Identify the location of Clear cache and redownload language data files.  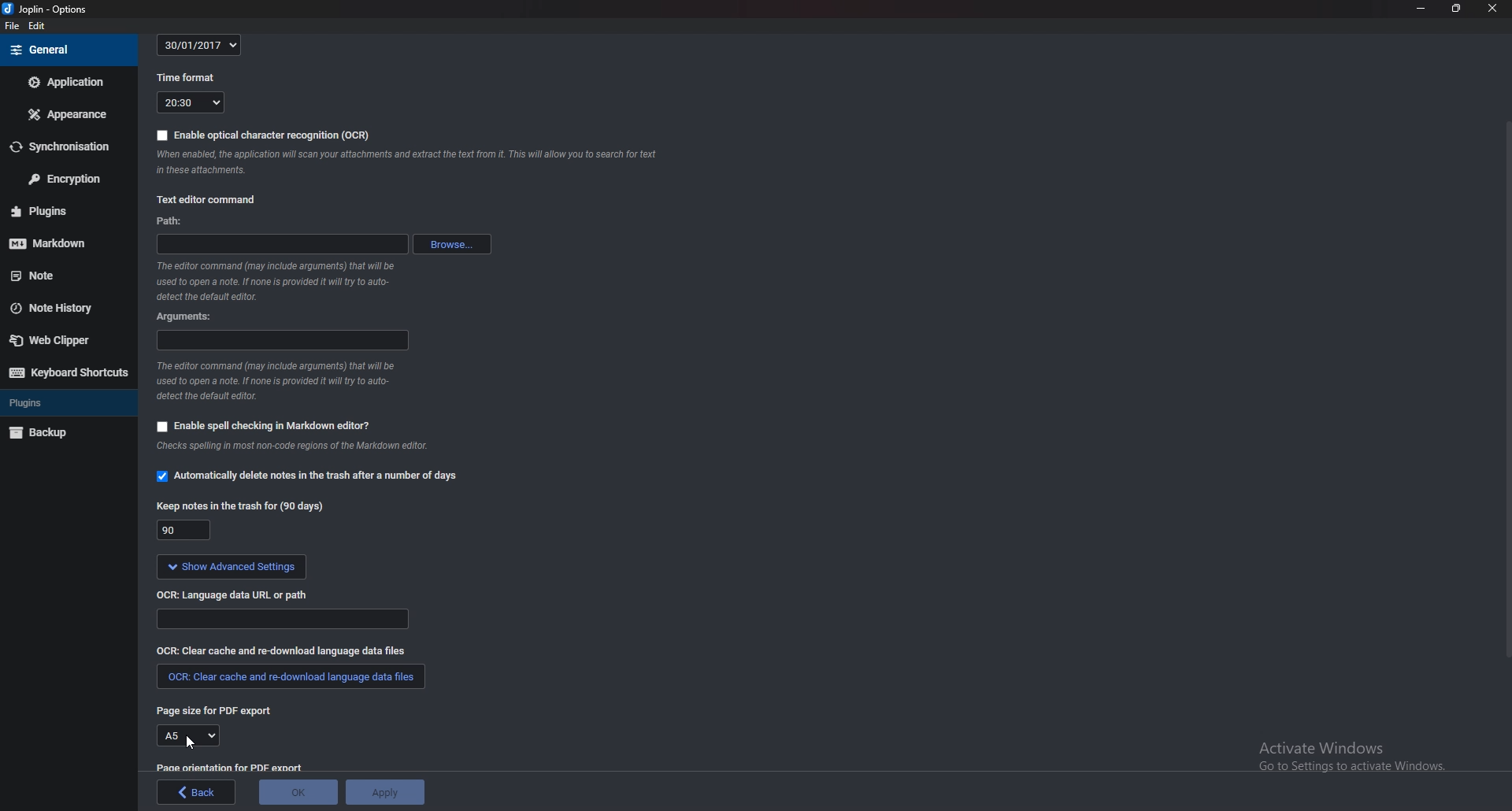
(282, 652).